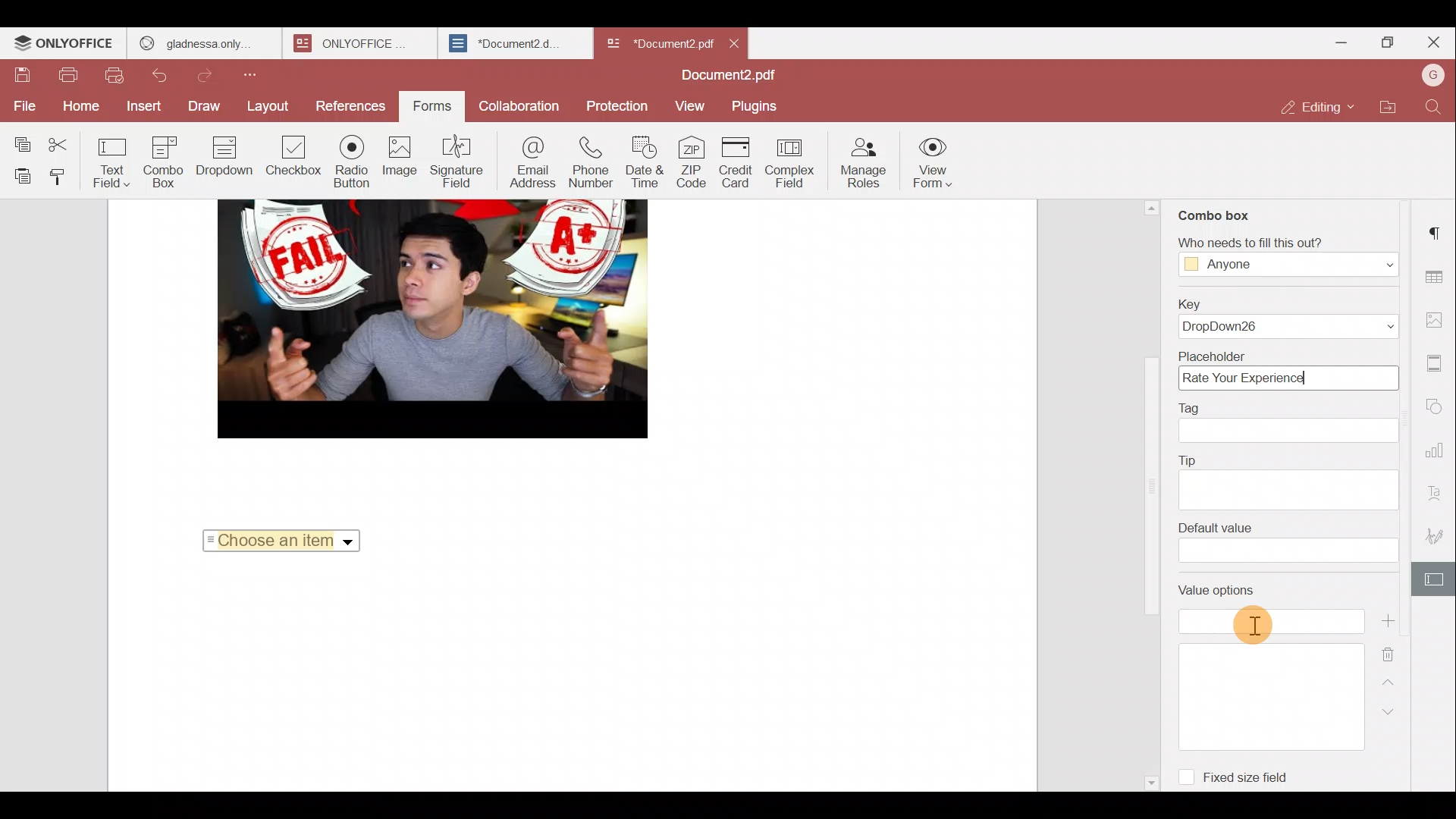 The width and height of the screenshot is (1456, 819). I want to click on Find, so click(1433, 110).